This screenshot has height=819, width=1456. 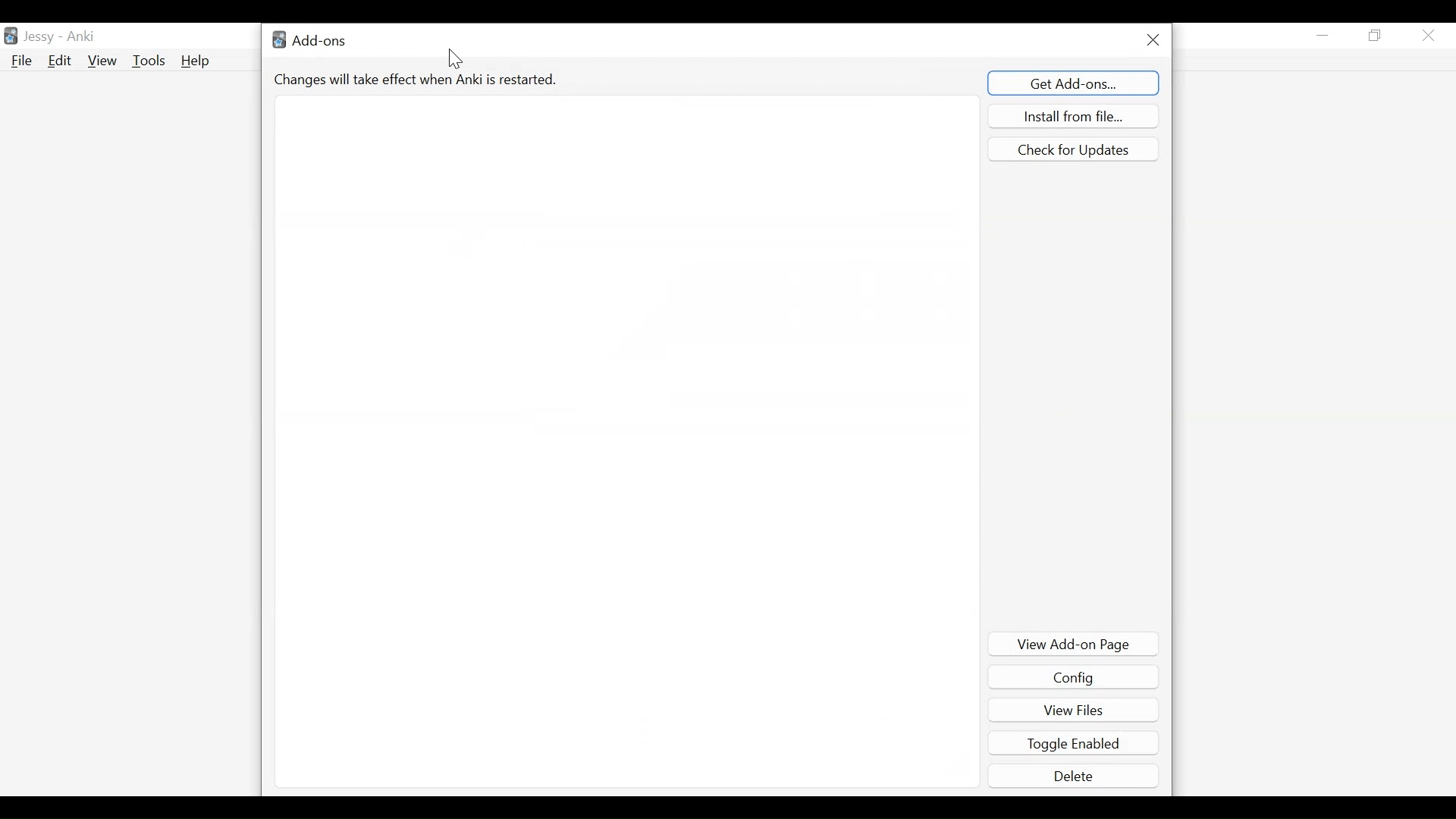 What do you see at coordinates (1075, 644) in the screenshot?
I see `View Add-on Page` at bounding box center [1075, 644].